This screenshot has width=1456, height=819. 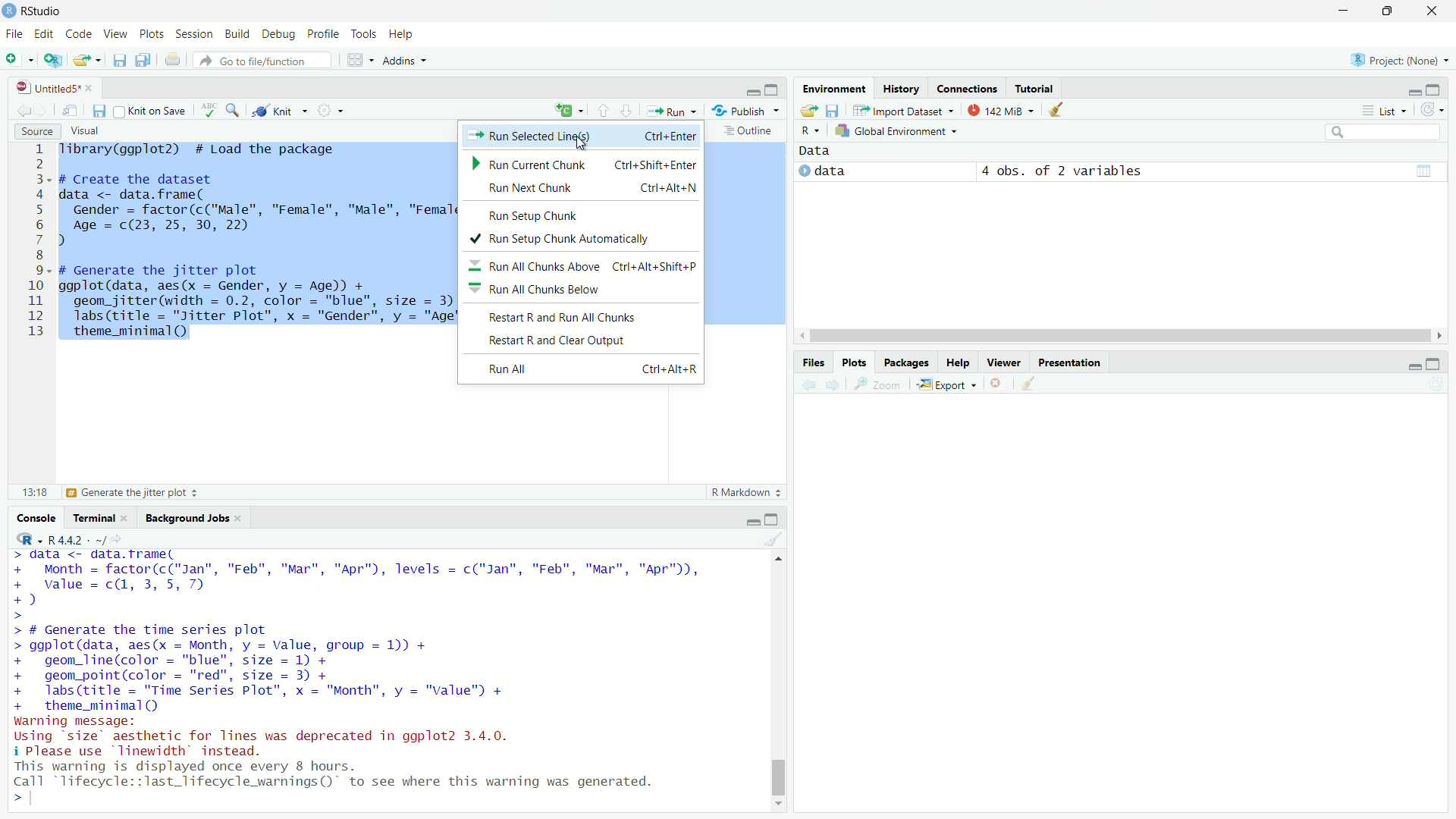 I want to click on plots, so click(x=152, y=32).